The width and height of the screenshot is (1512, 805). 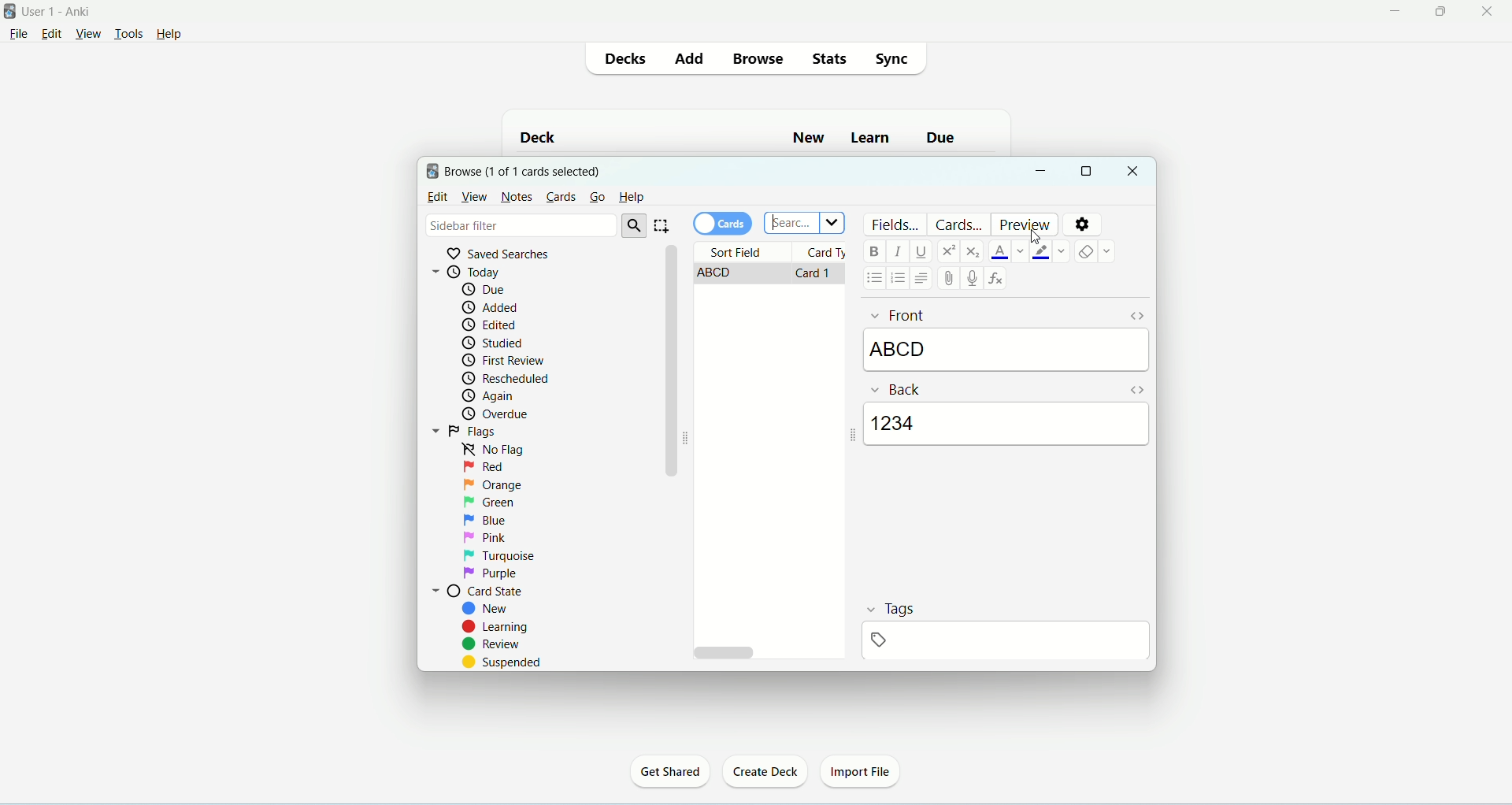 I want to click on view, so click(x=89, y=33).